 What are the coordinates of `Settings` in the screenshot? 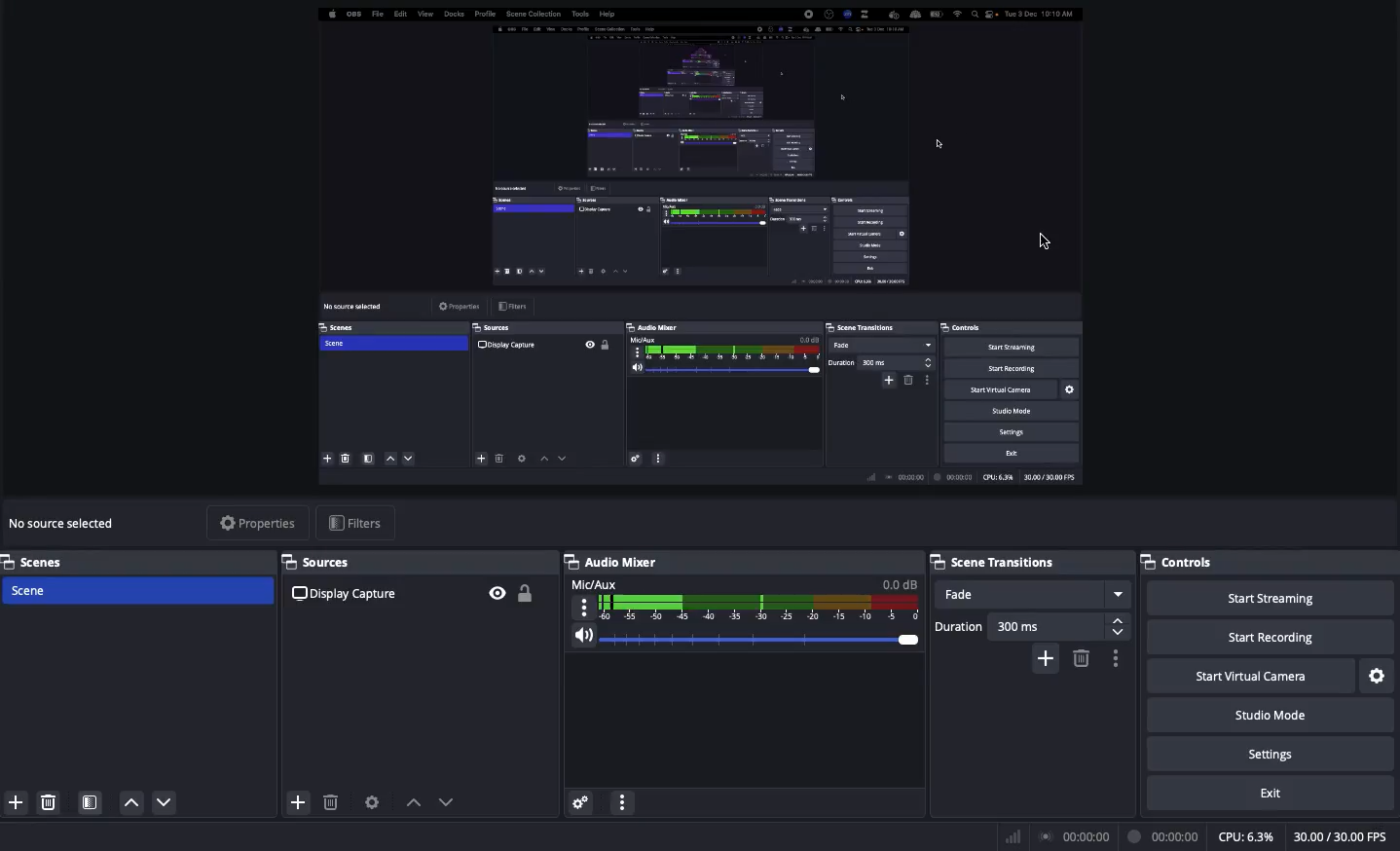 It's located at (1269, 751).